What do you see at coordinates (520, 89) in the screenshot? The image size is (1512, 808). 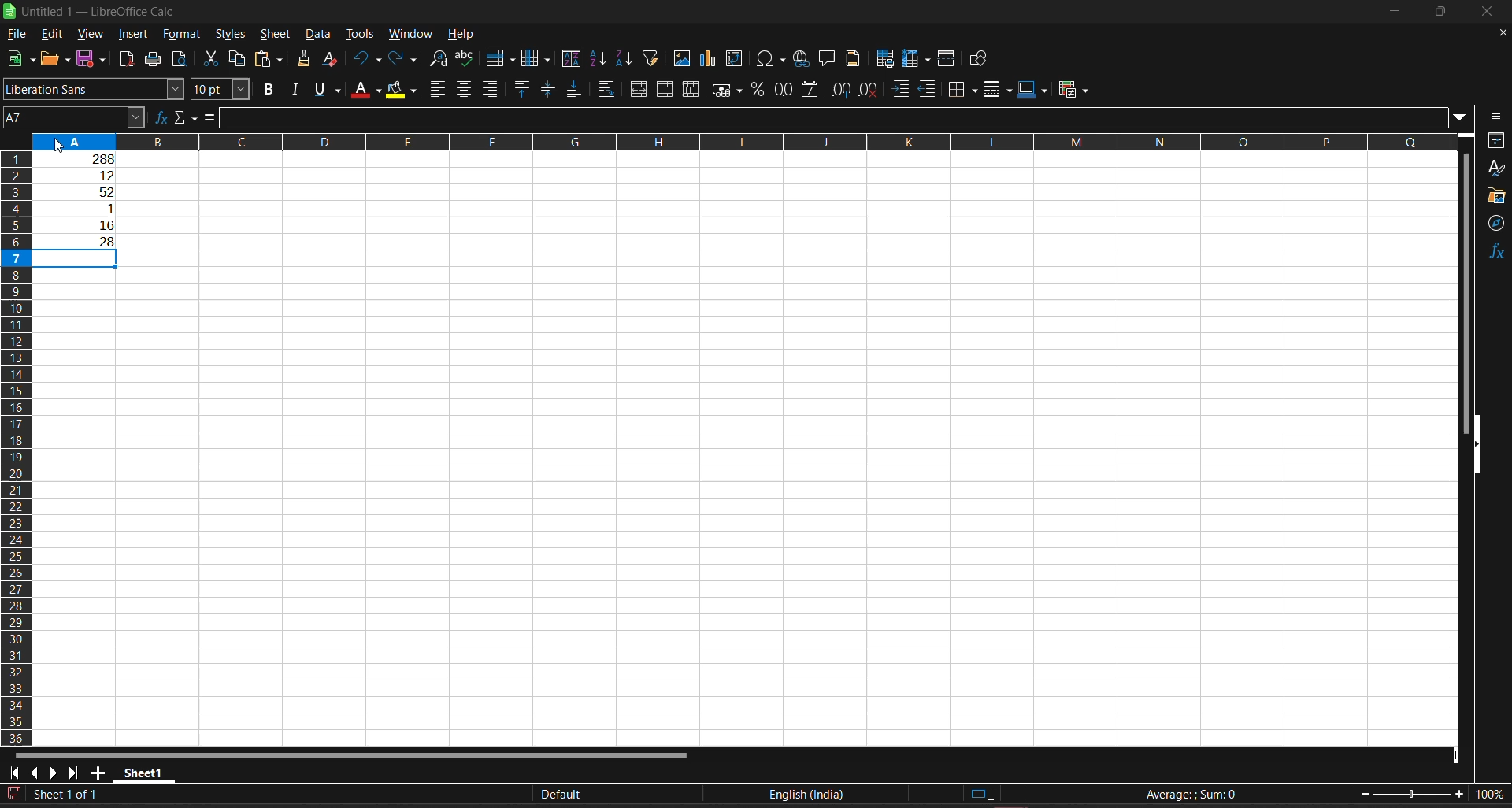 I see `align top` at bounding box center [520, 89].